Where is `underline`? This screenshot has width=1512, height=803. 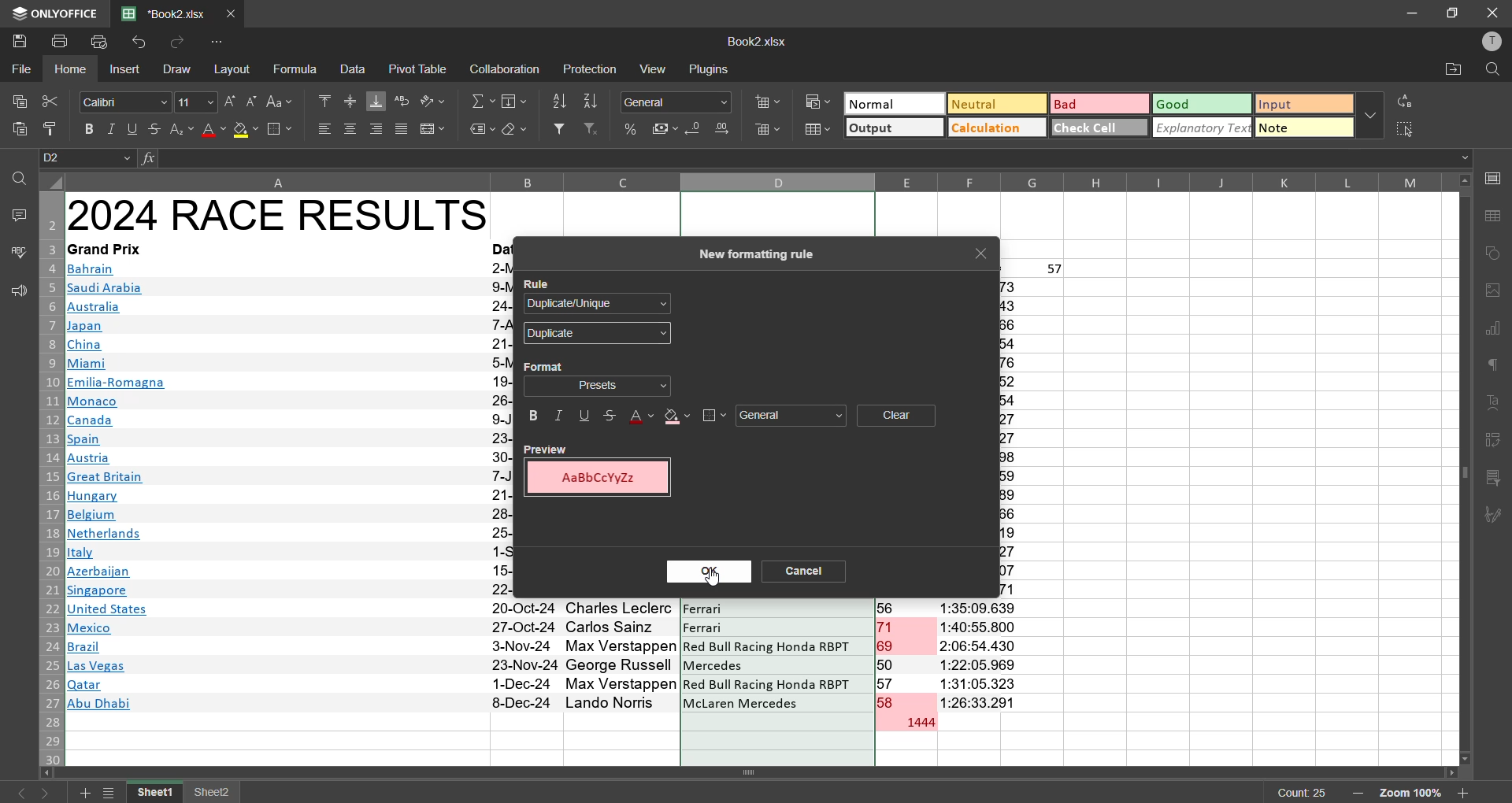
underline is located at coordinates (582, 418).